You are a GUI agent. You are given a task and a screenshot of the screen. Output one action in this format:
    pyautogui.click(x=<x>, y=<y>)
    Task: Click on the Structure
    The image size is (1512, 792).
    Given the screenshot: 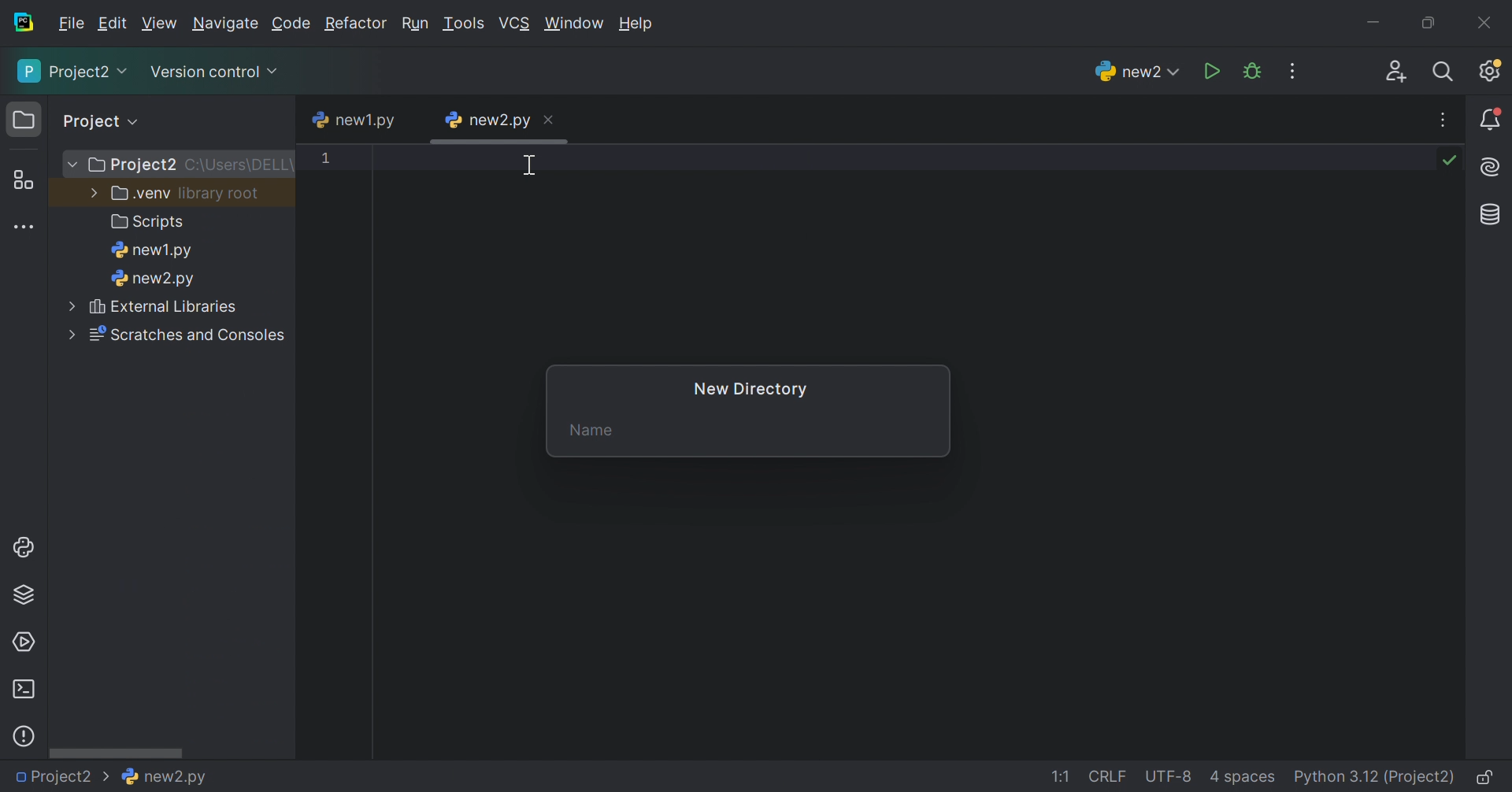 What is the action you would take?
    pyautogui.click(x=24, y=181)
    